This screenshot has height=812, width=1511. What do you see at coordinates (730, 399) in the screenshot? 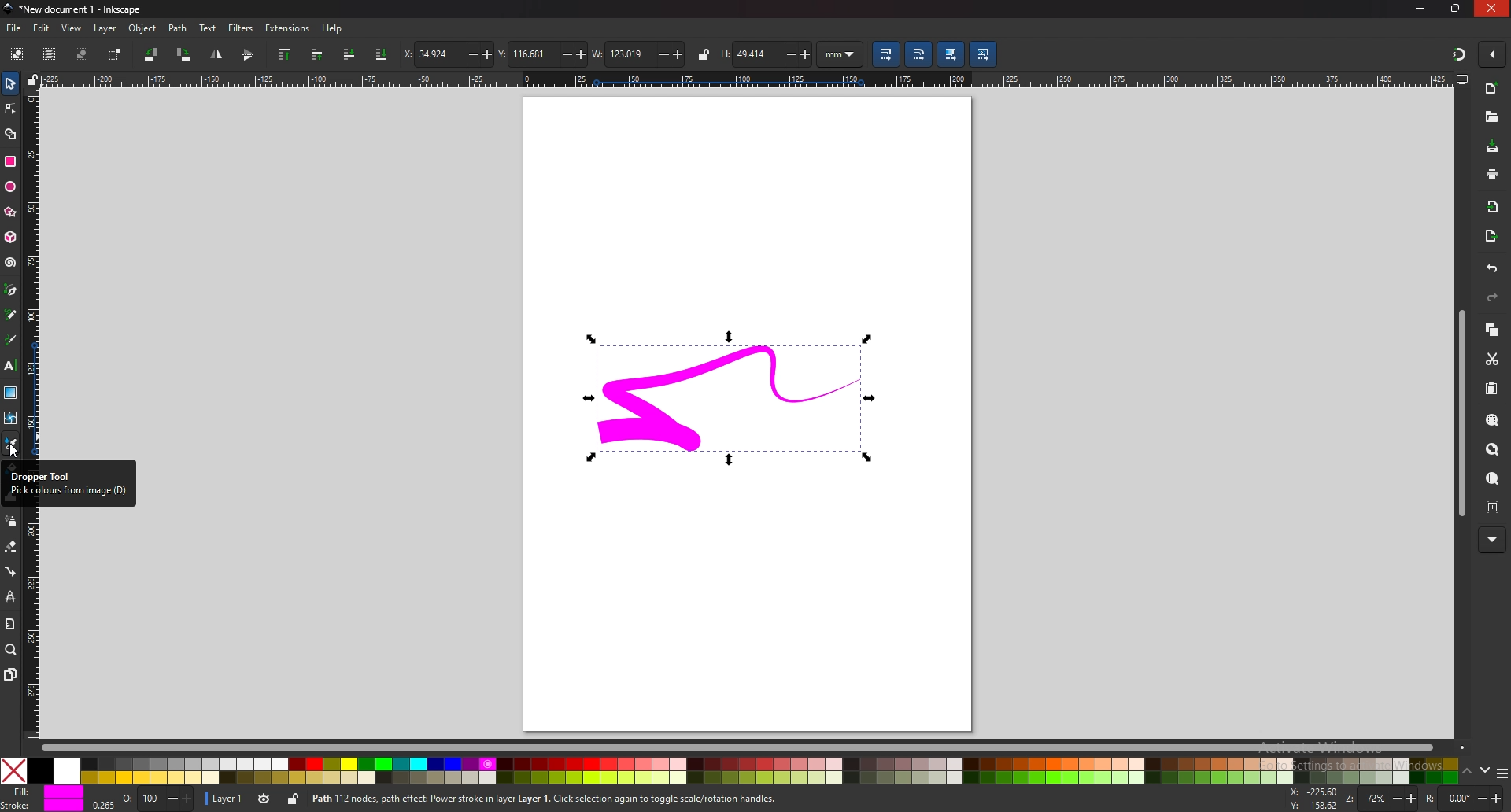
I see `selected drawing` at bounding box center [730, 399].